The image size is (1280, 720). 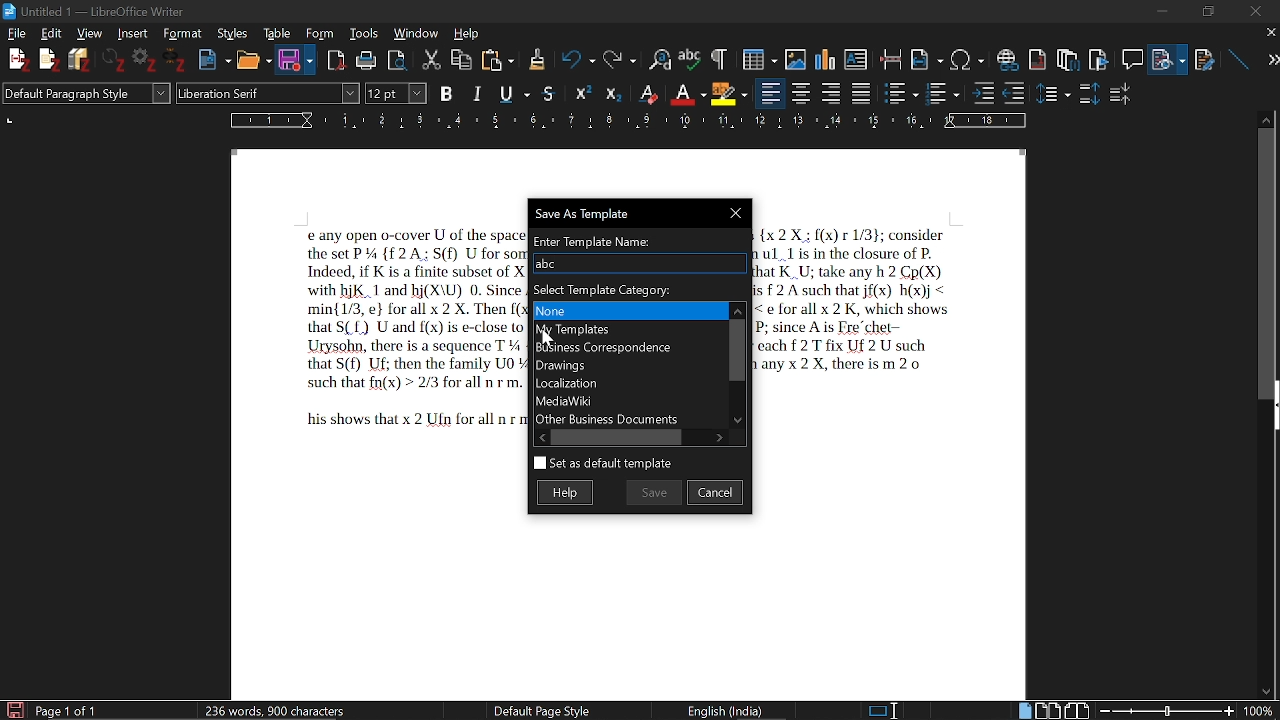 What do you see at coordinates (319, 33) in the screenshot?
I see `Form` at bounding box center [319, 33].